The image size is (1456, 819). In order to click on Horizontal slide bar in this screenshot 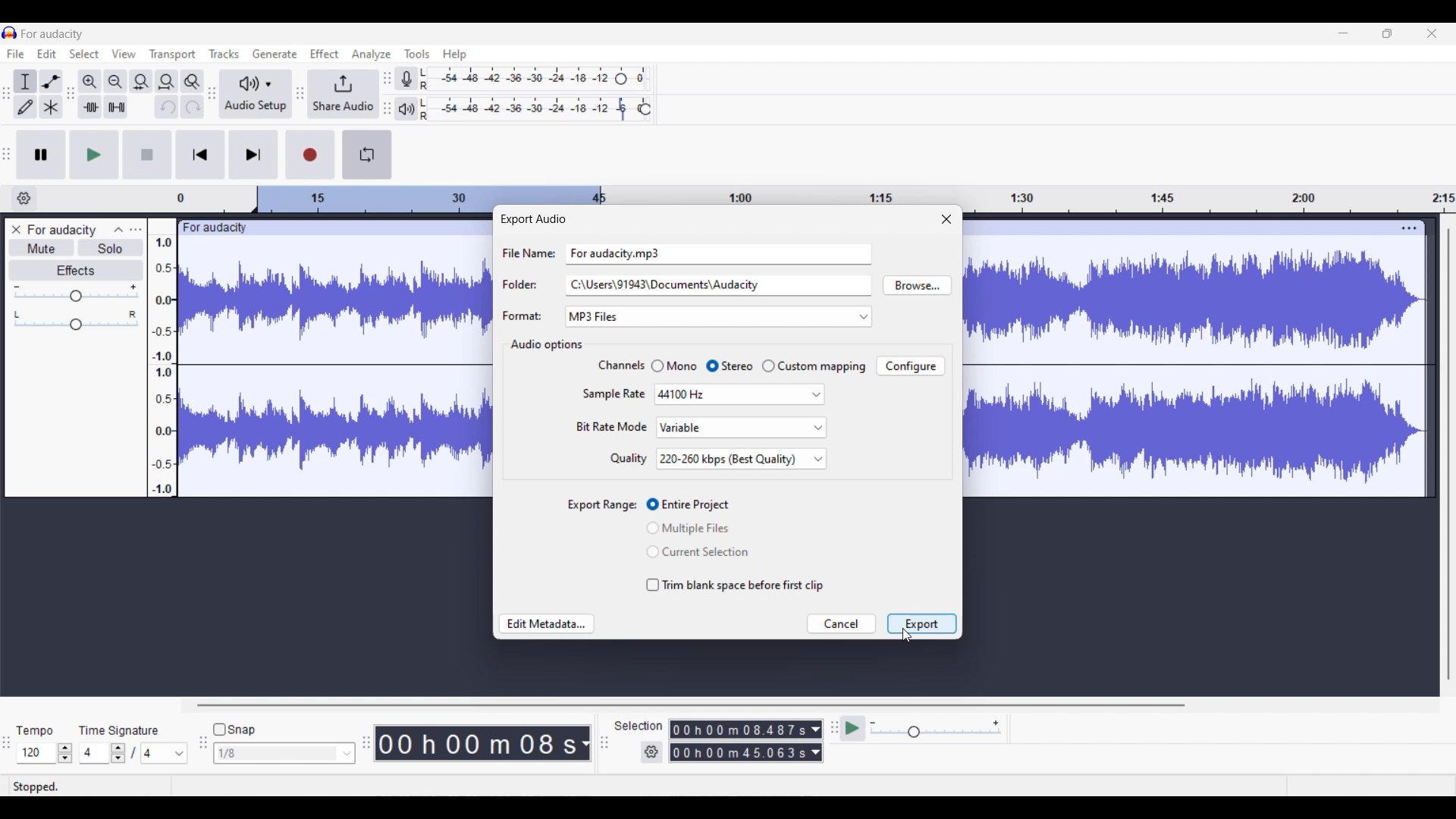, I will do `click(690, 705)`.